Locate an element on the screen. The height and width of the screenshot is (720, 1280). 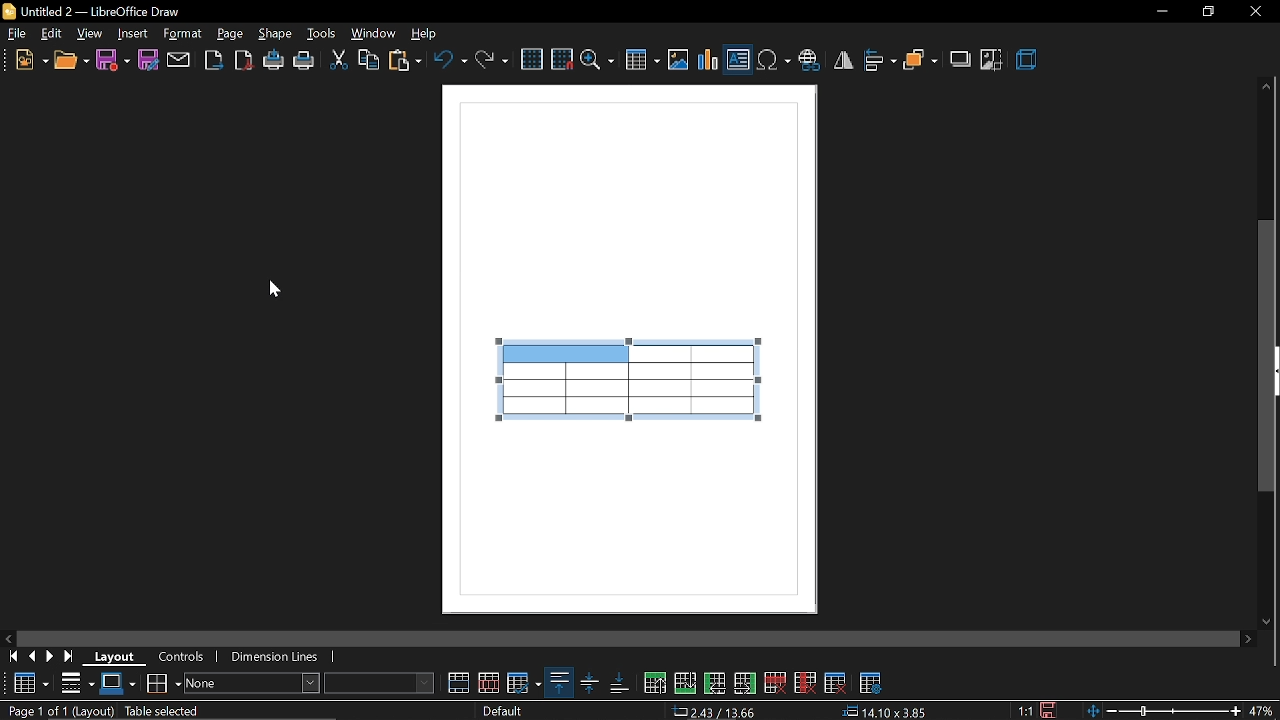
print directly is located at coordinates (274, 61).